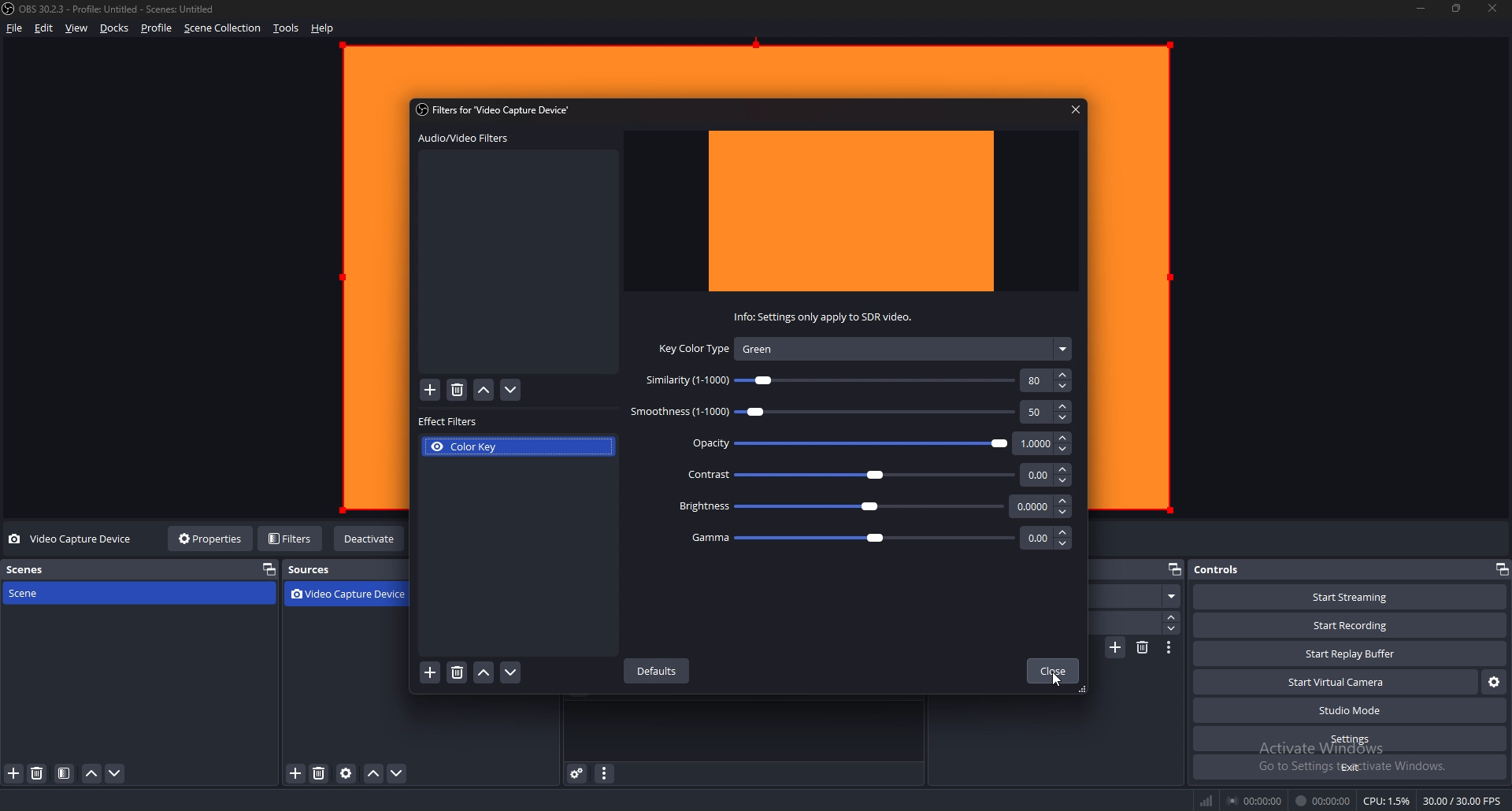 The image size is (1512, 811). Describe the element at coordinates (1463, 800) in the screenshot. I see `30.00 / 30.00 FPS` at that location.